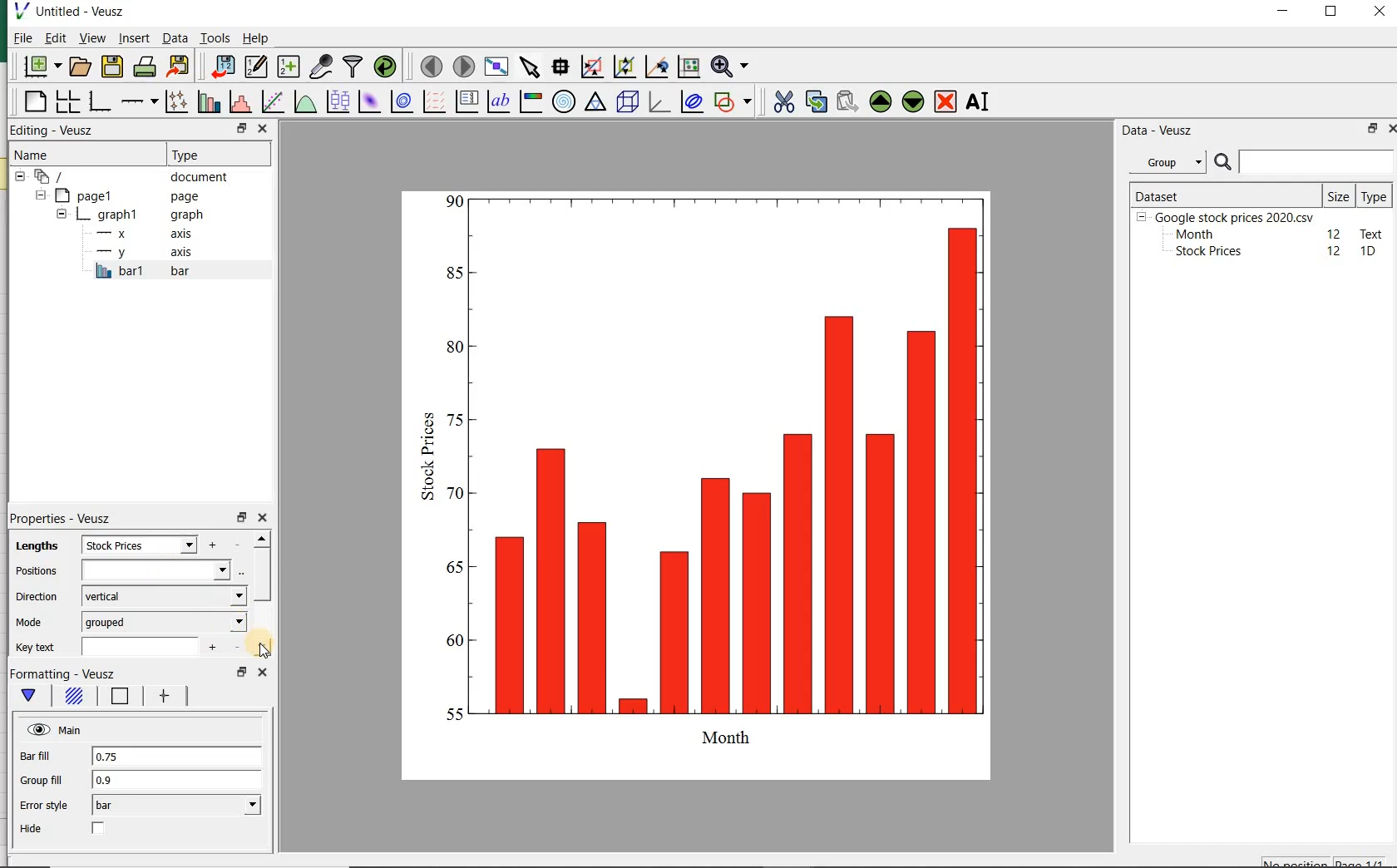 The image size is (1397, 868). Describe the element at coordinates (178, 782) in the screenshot. I see `0.9` at that location.